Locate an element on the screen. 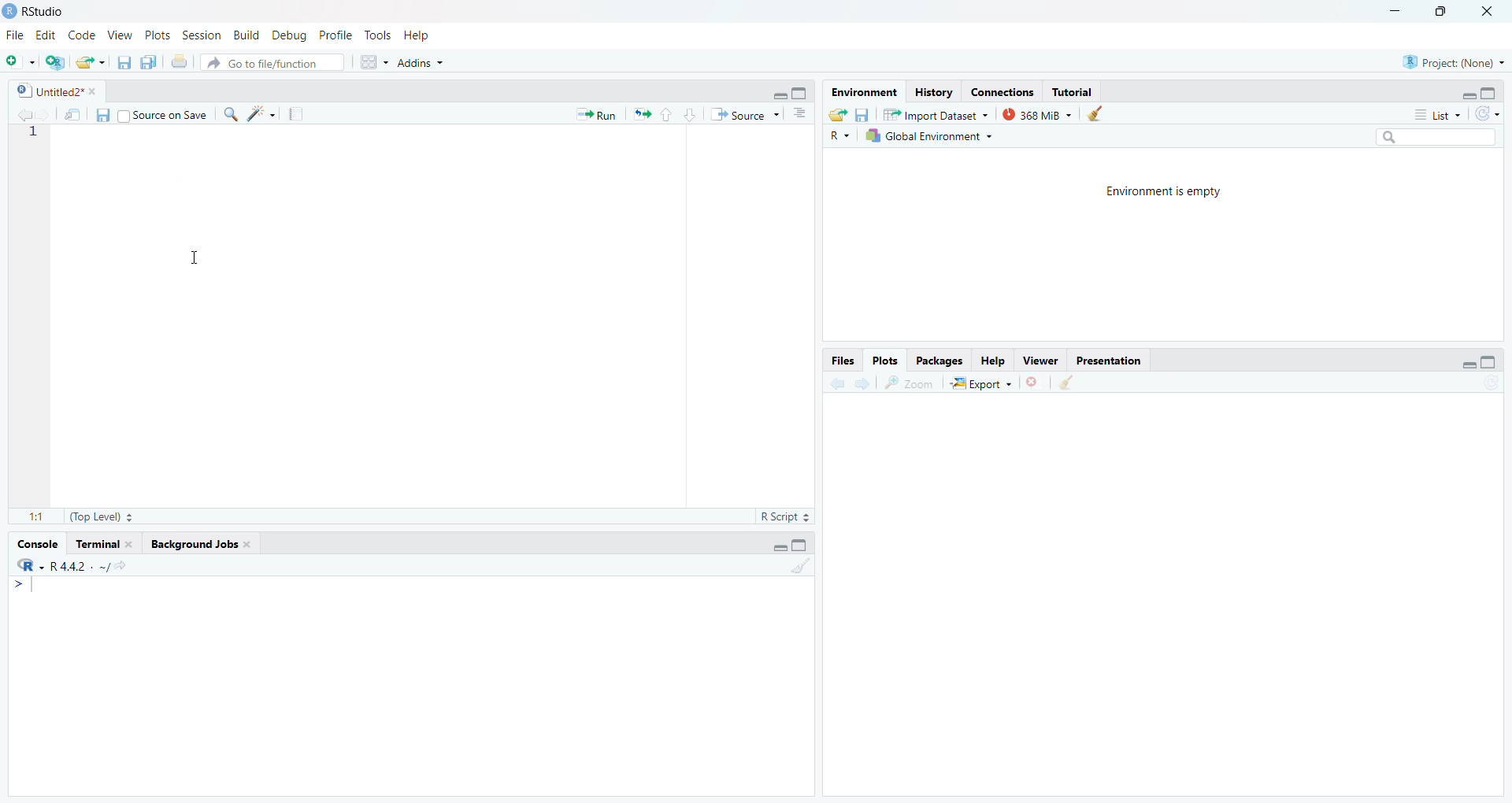 This screenshot has width=1512, height=803. View is located at coordinates (122, 35).